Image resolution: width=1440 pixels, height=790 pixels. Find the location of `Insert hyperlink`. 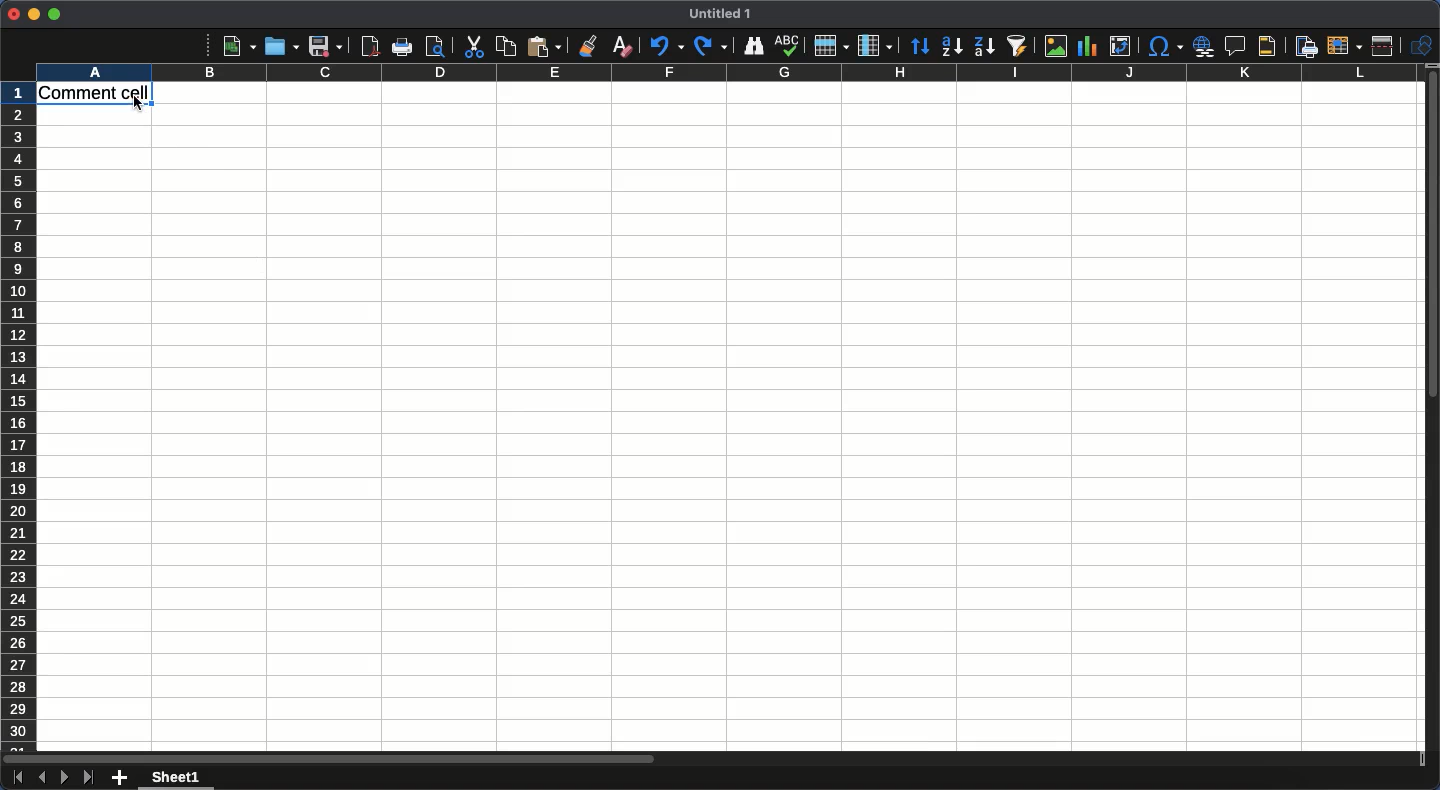

Insert hyperlink is located at coordinates (1202, 45).